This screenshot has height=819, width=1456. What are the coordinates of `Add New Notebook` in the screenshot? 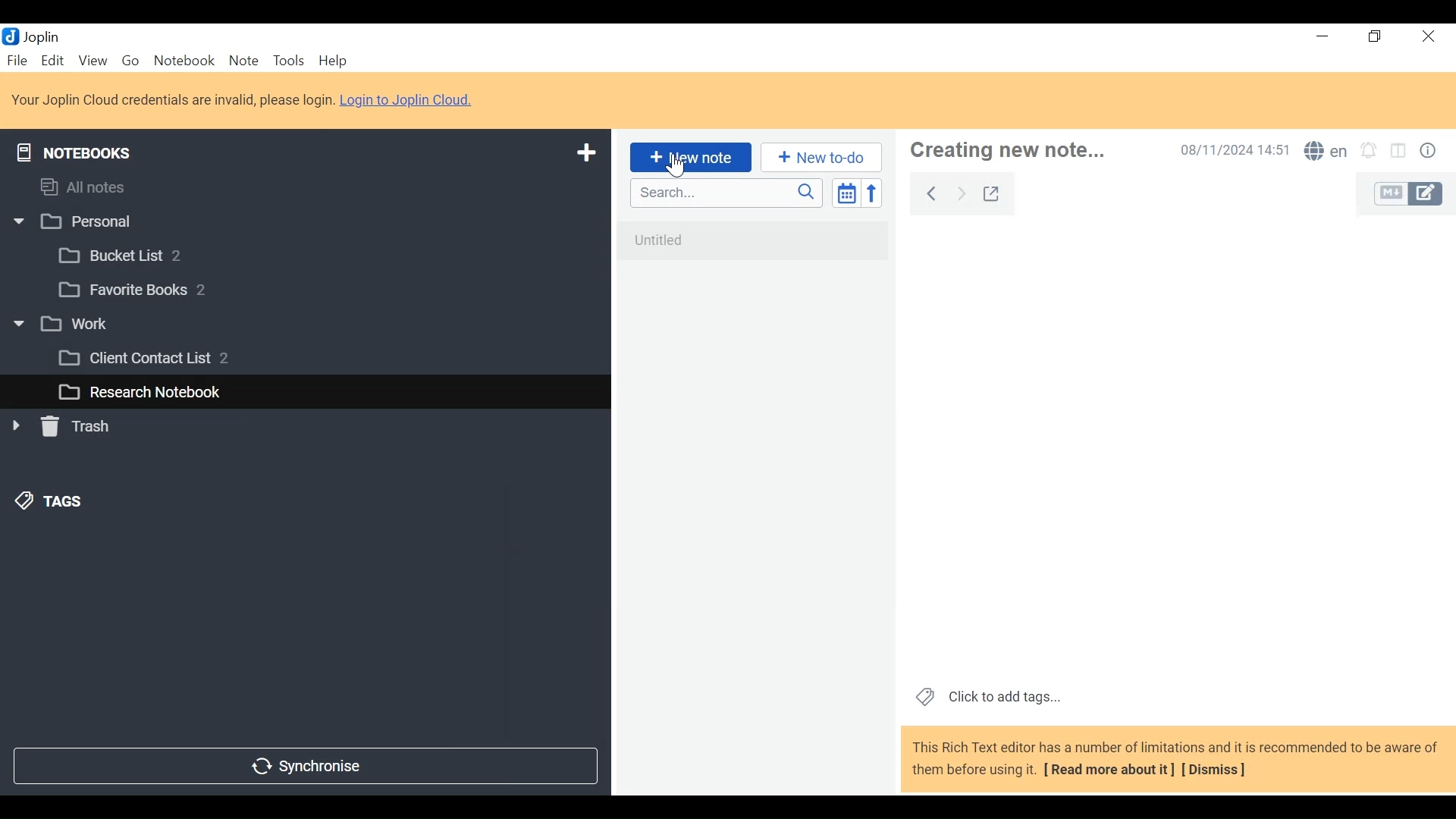 It's located at (585, 153).